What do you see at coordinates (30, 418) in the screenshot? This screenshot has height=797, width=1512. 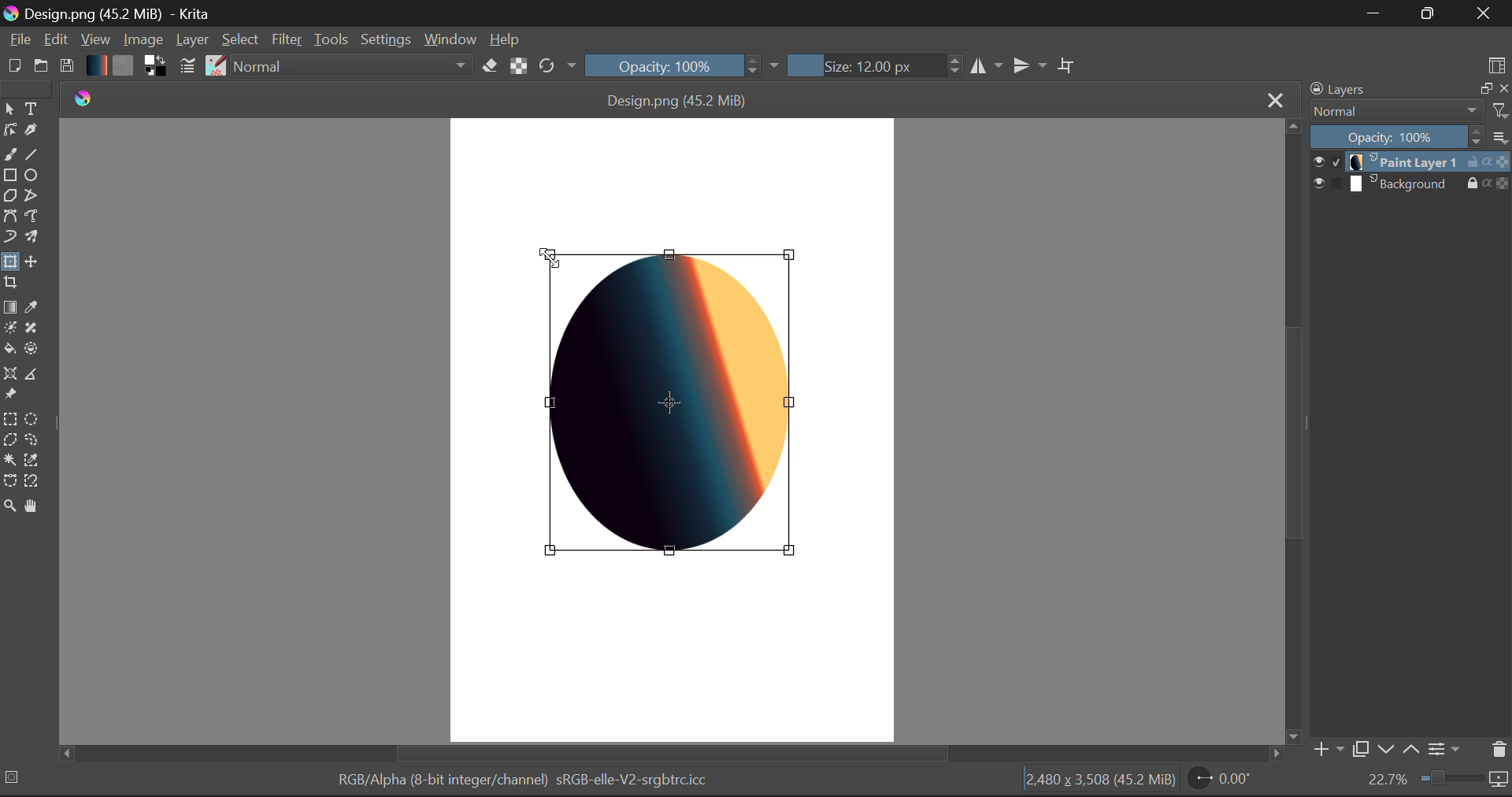 I see `Circular Selection` at bounding box center [30, 418].